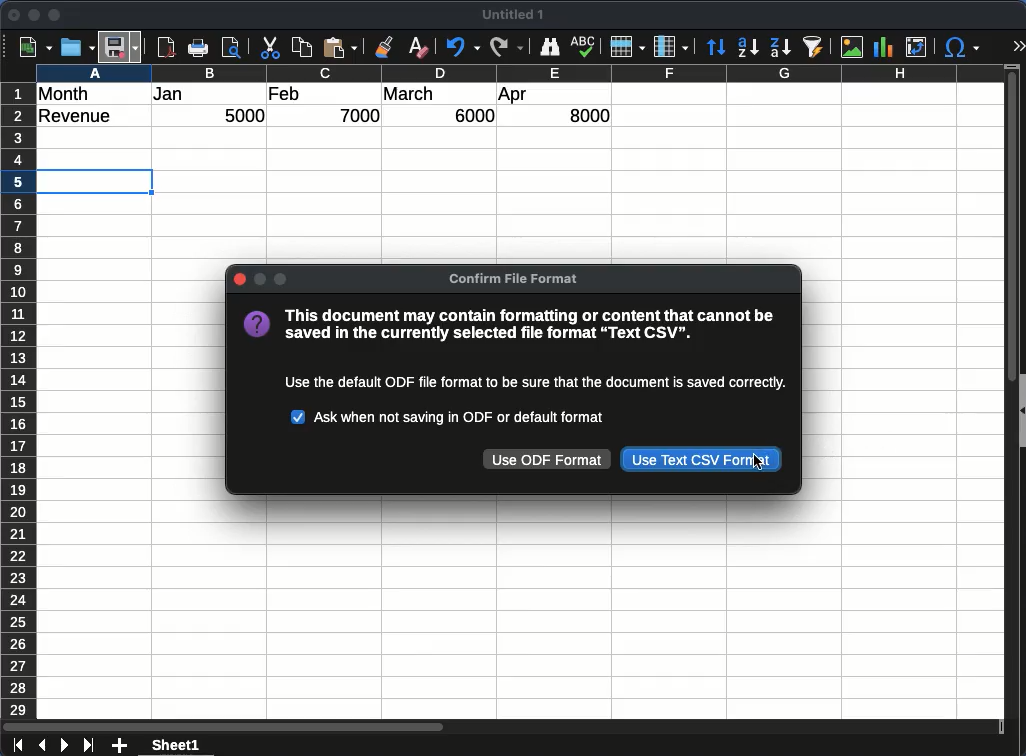  Describe the element at coordinates (550, 47) in the screenshot. I see `finder` at that location.